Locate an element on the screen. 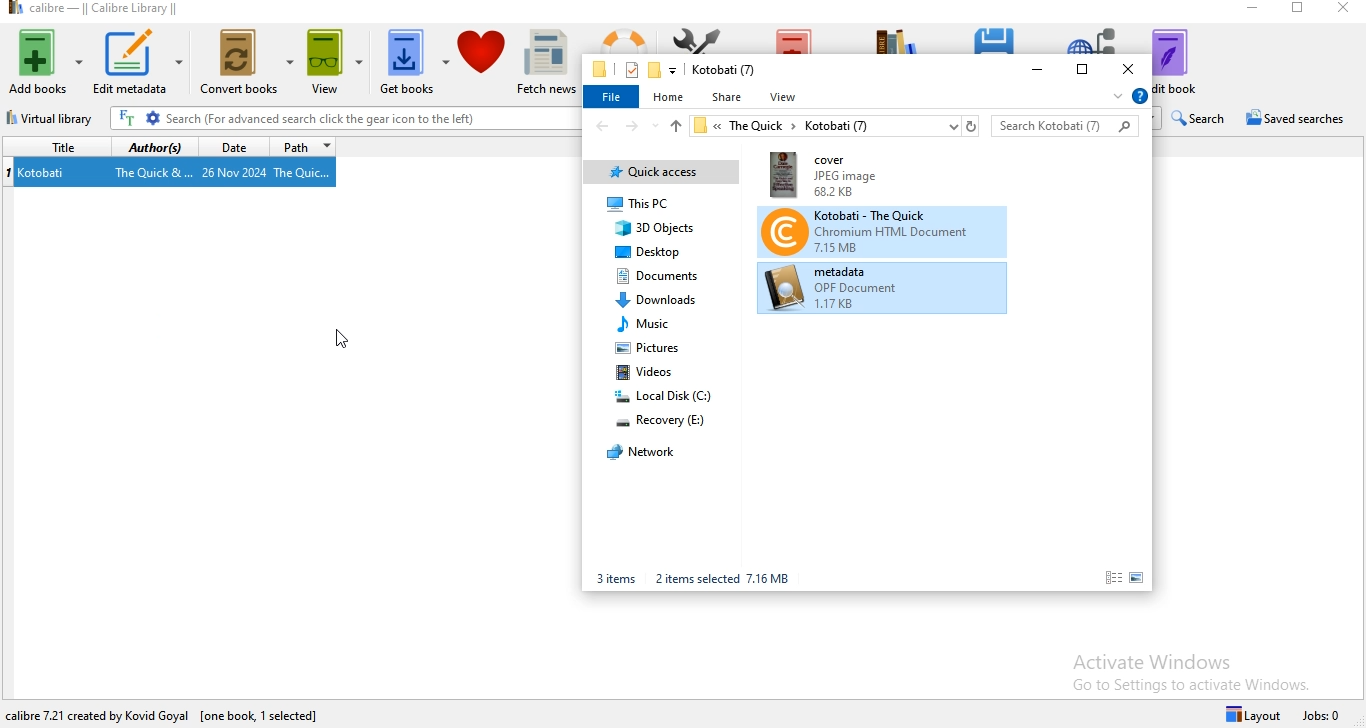  the quic... is located at coordinates (313, 176).